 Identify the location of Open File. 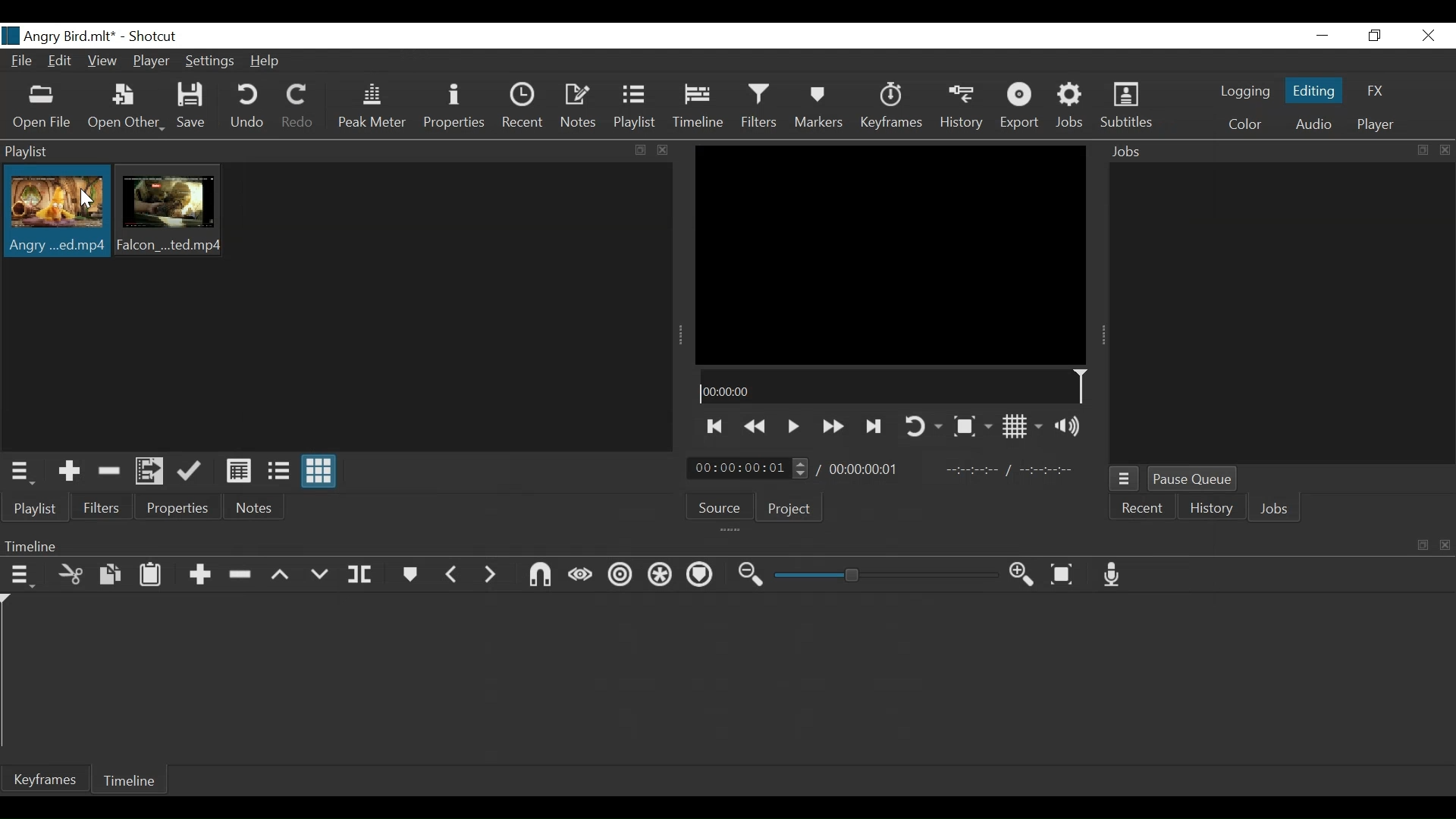
(42, 106).